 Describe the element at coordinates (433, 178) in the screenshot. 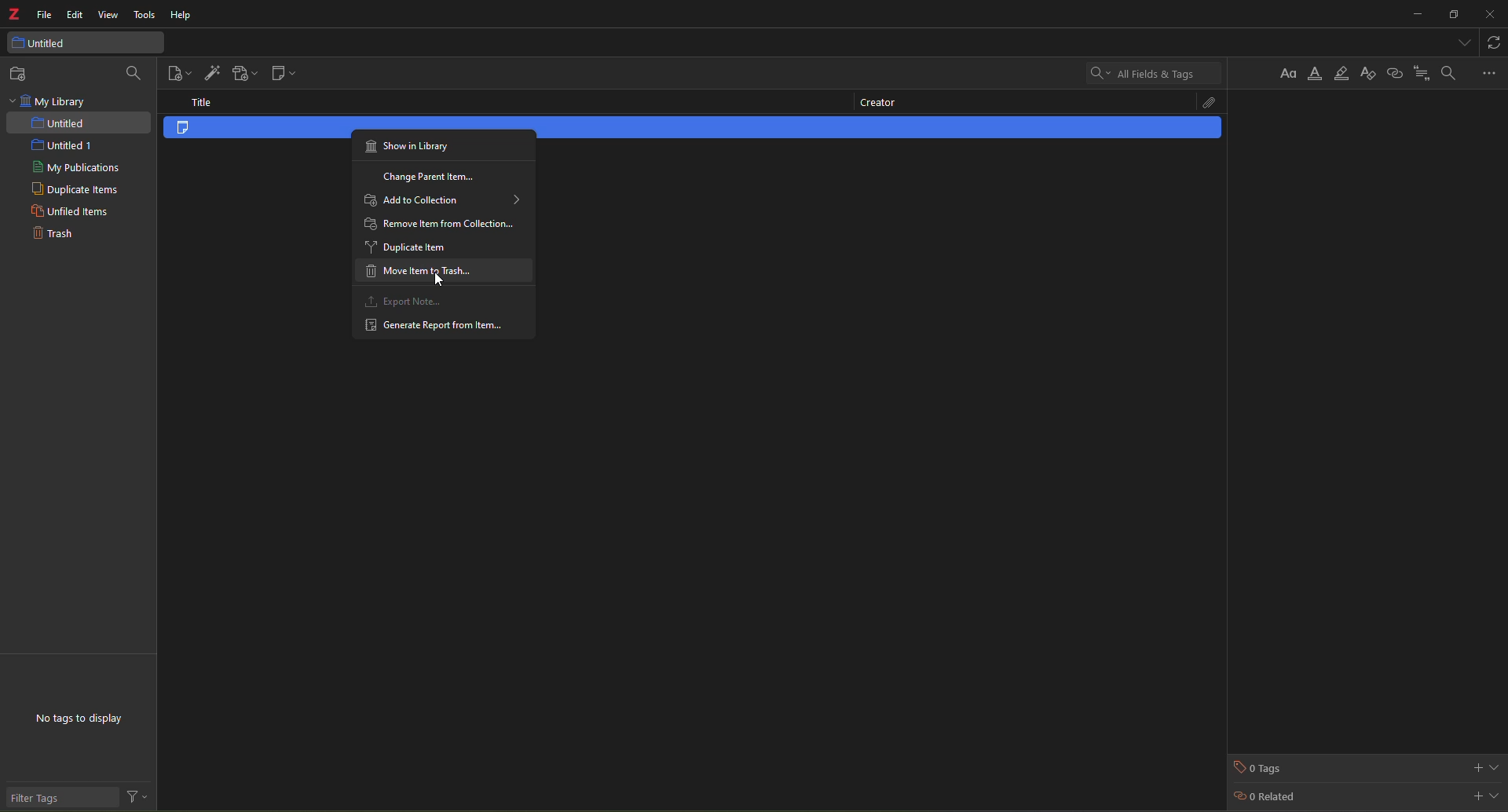

I see `change parent item` at that location.